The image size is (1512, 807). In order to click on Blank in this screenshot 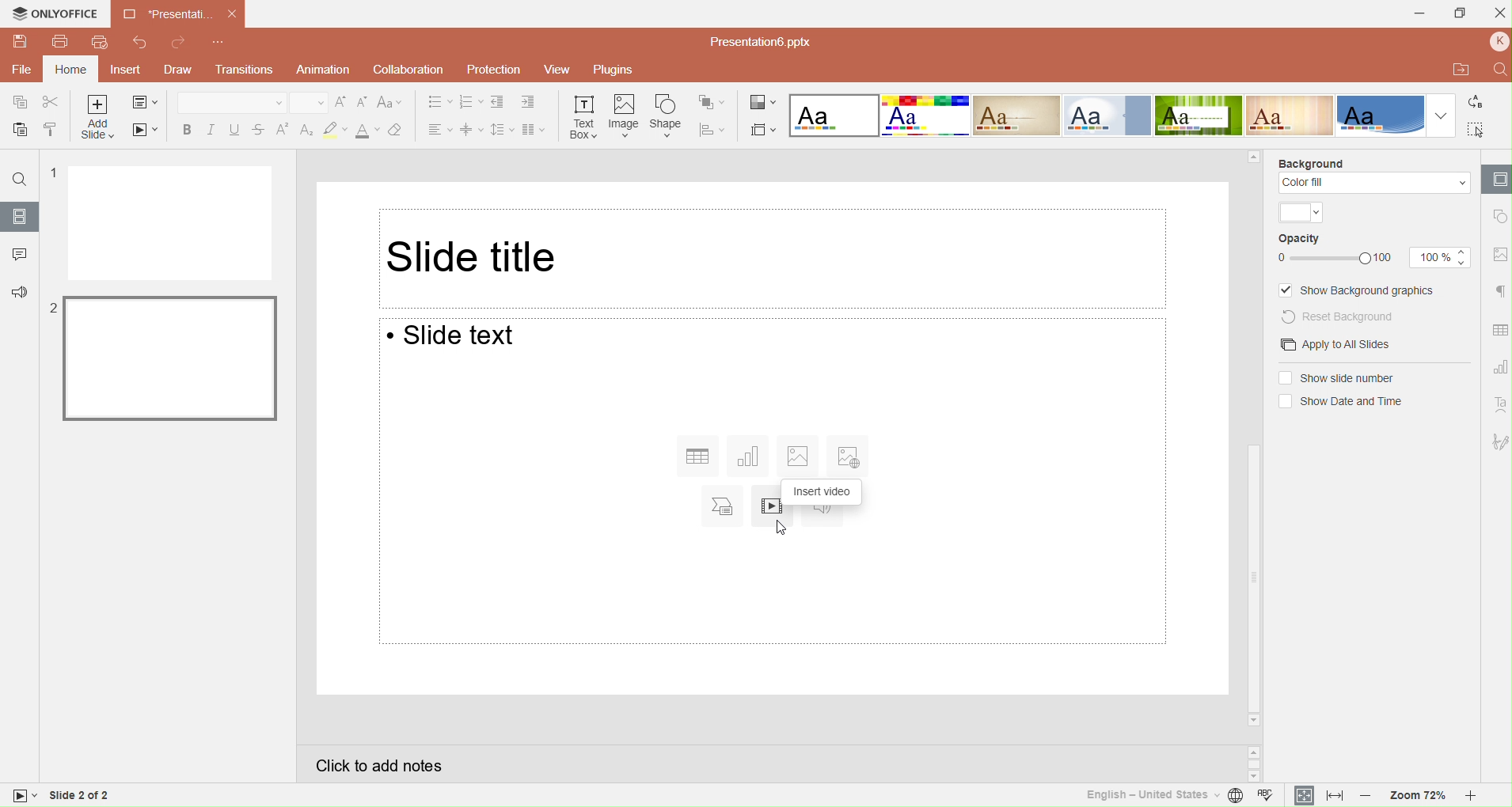, I will do `click(834, 116)`.